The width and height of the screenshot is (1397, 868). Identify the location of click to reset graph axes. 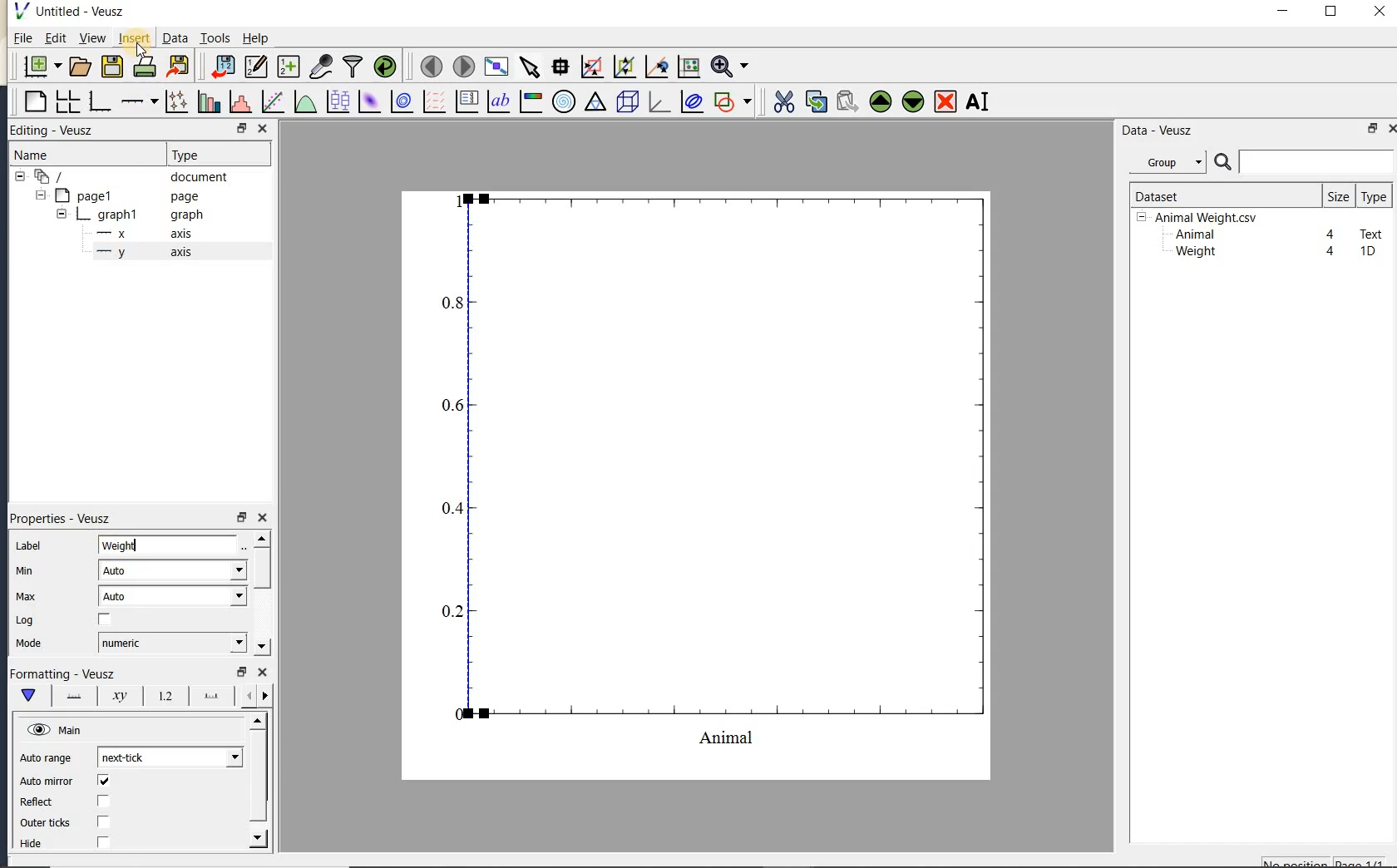
(689, 67).